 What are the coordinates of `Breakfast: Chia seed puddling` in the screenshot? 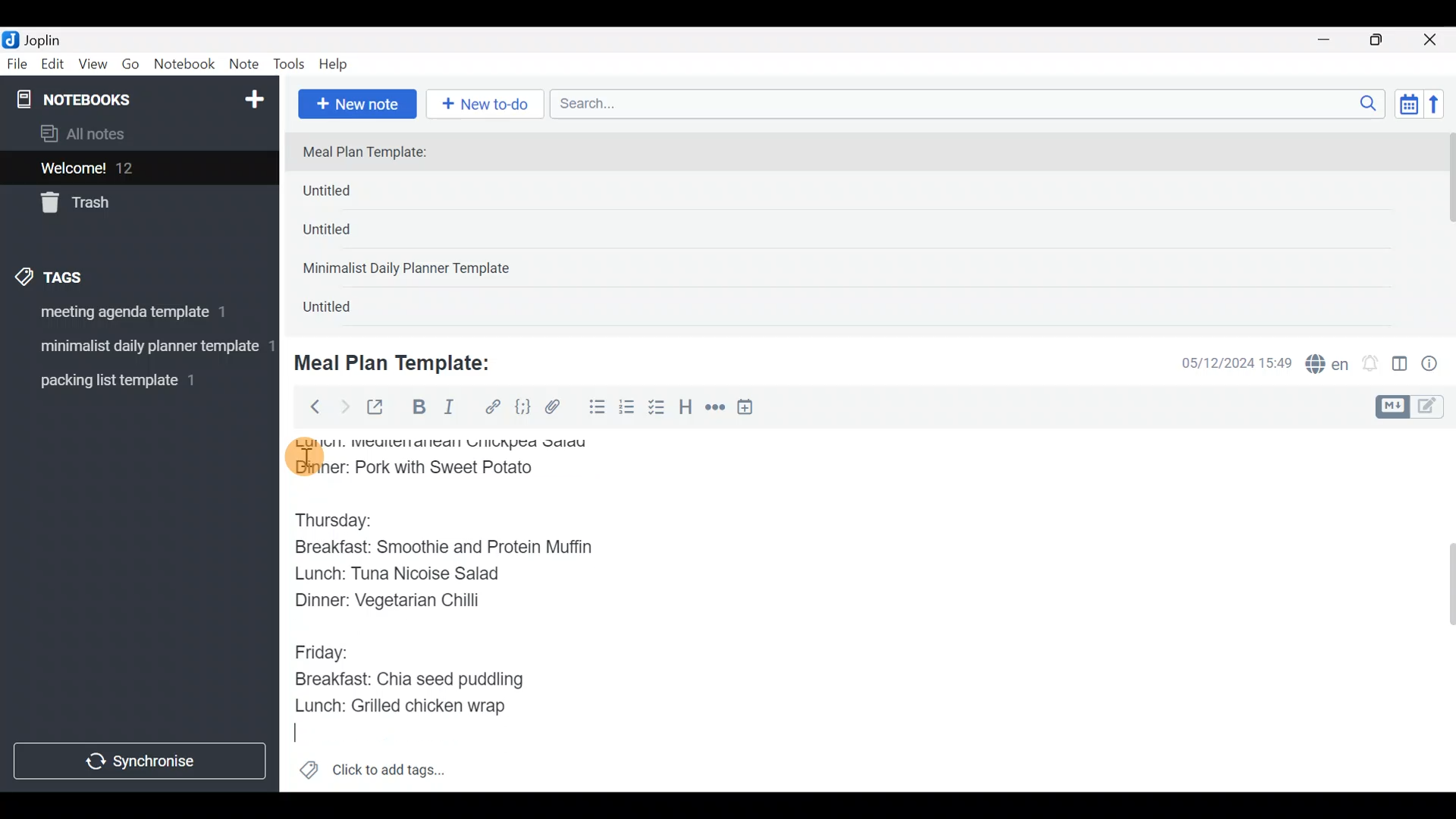 It's located at (417, 679).